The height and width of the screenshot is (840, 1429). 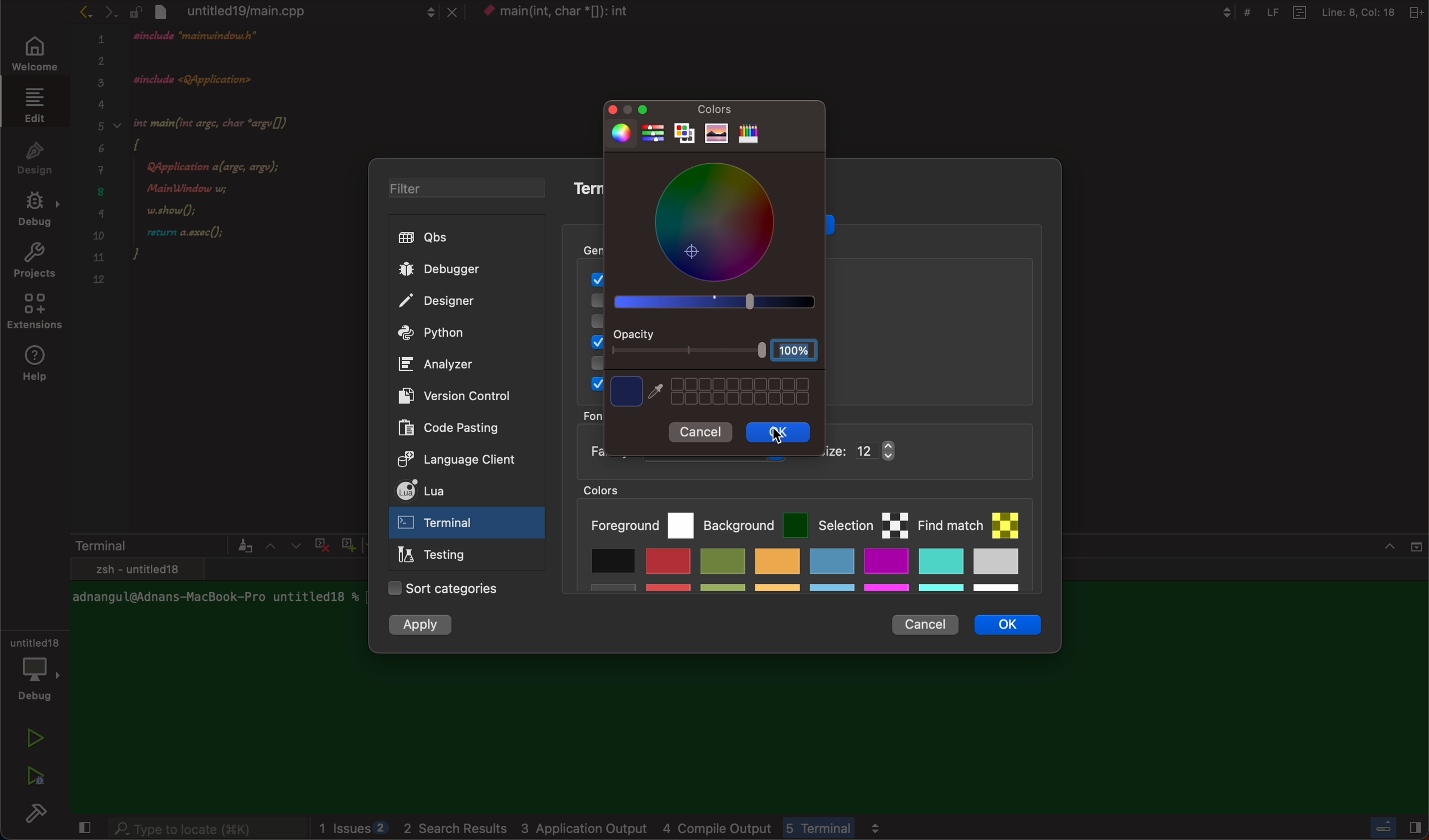 I want to click on close bar, so click(x=1373, y=553).